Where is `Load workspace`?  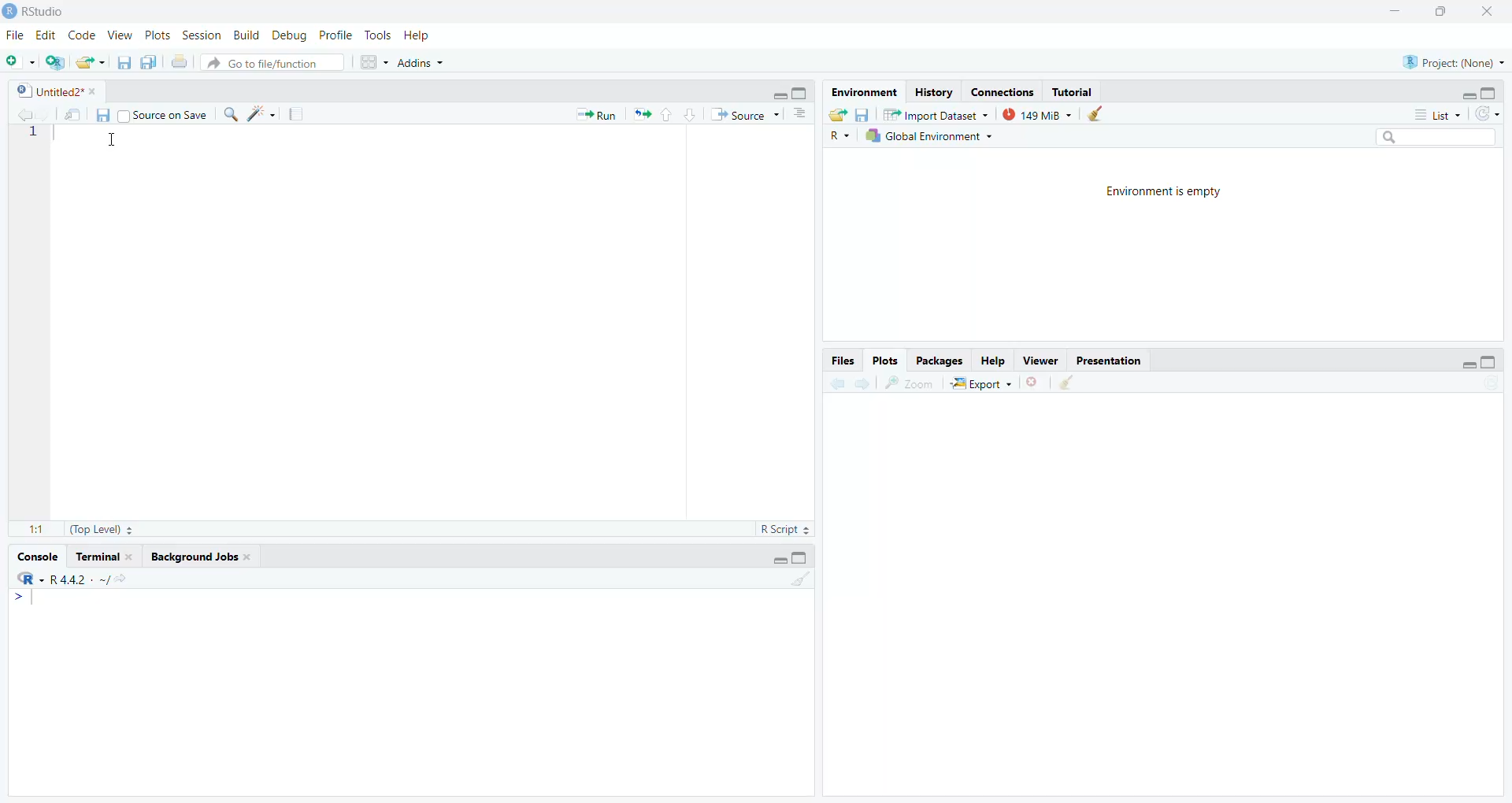
Load workspace is located at coordinates (836, 116).